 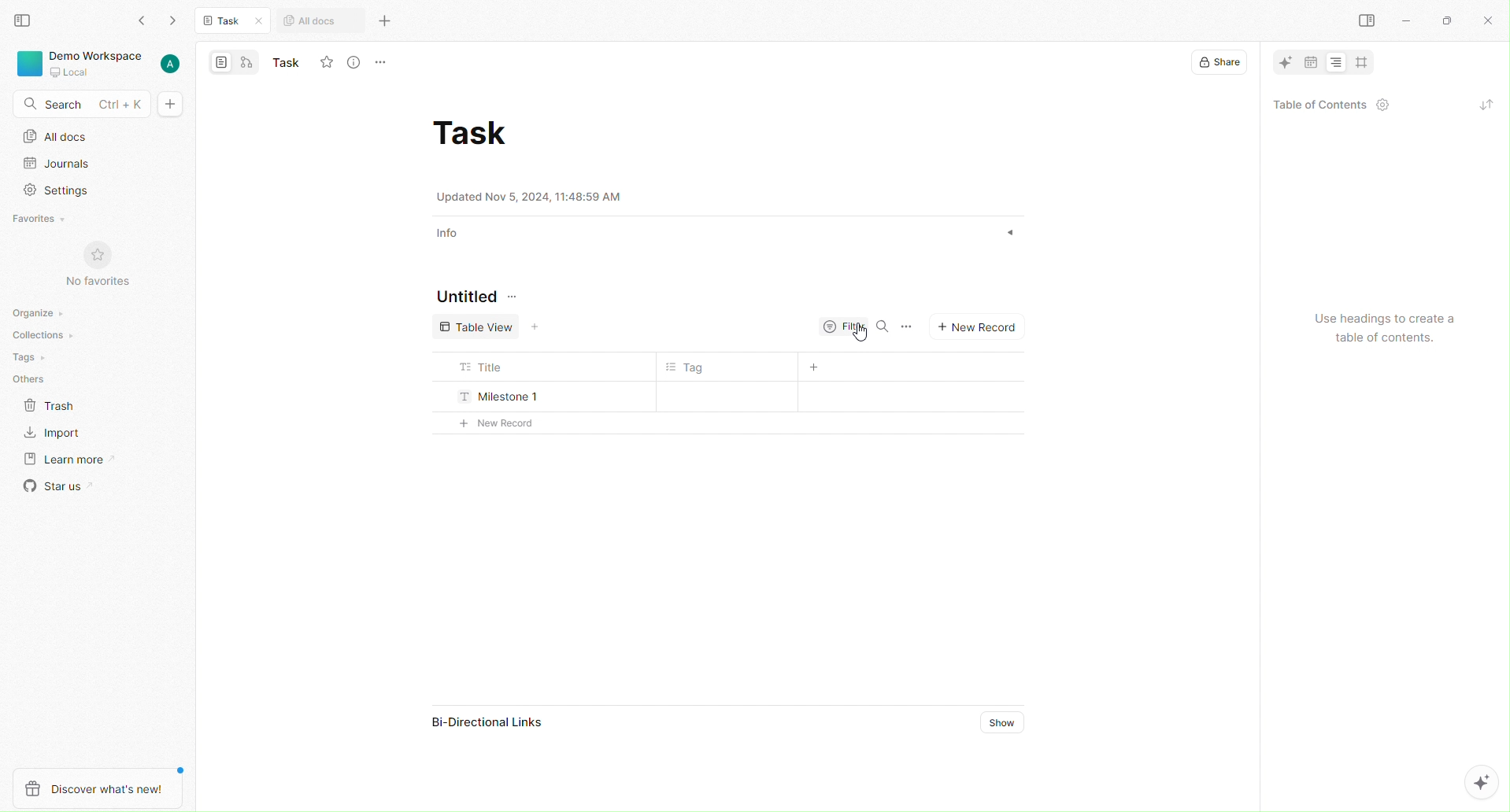 I want to click on New Record, so click(x=977, y=327).